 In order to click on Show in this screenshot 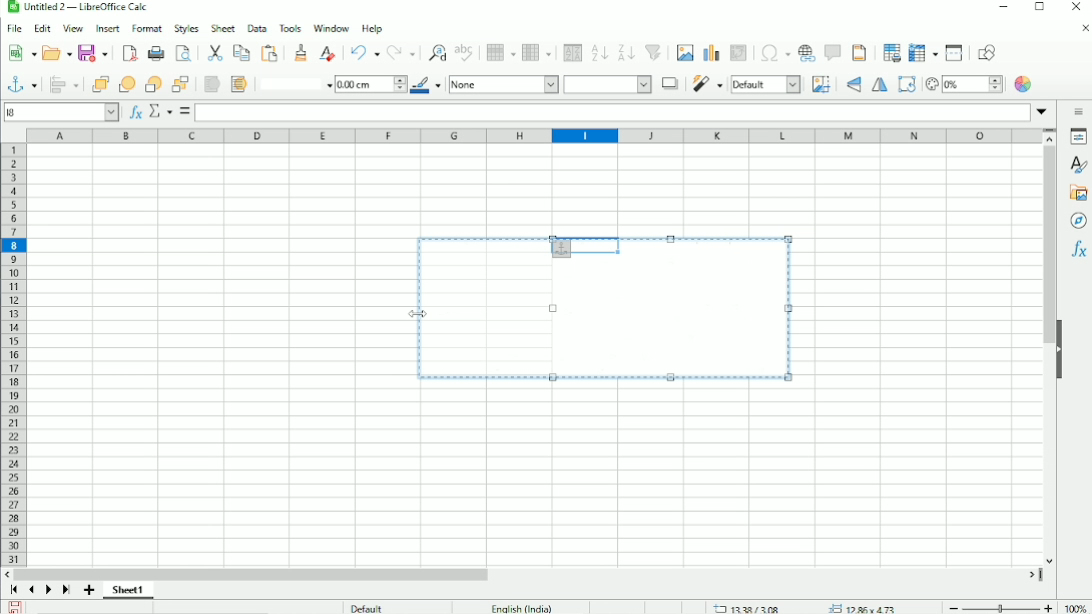, I will do `click(1059, 348)`.